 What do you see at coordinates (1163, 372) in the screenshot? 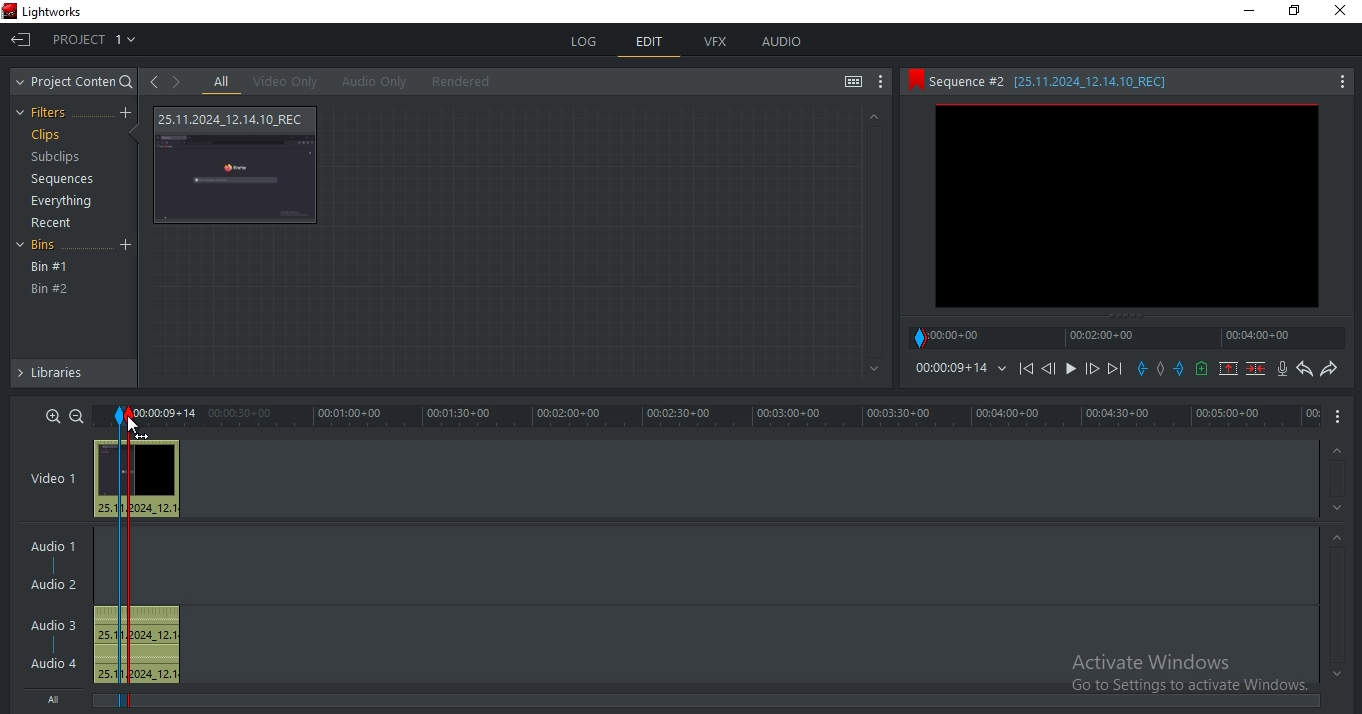
I see `add mark` at bounding box center [1163, 372].